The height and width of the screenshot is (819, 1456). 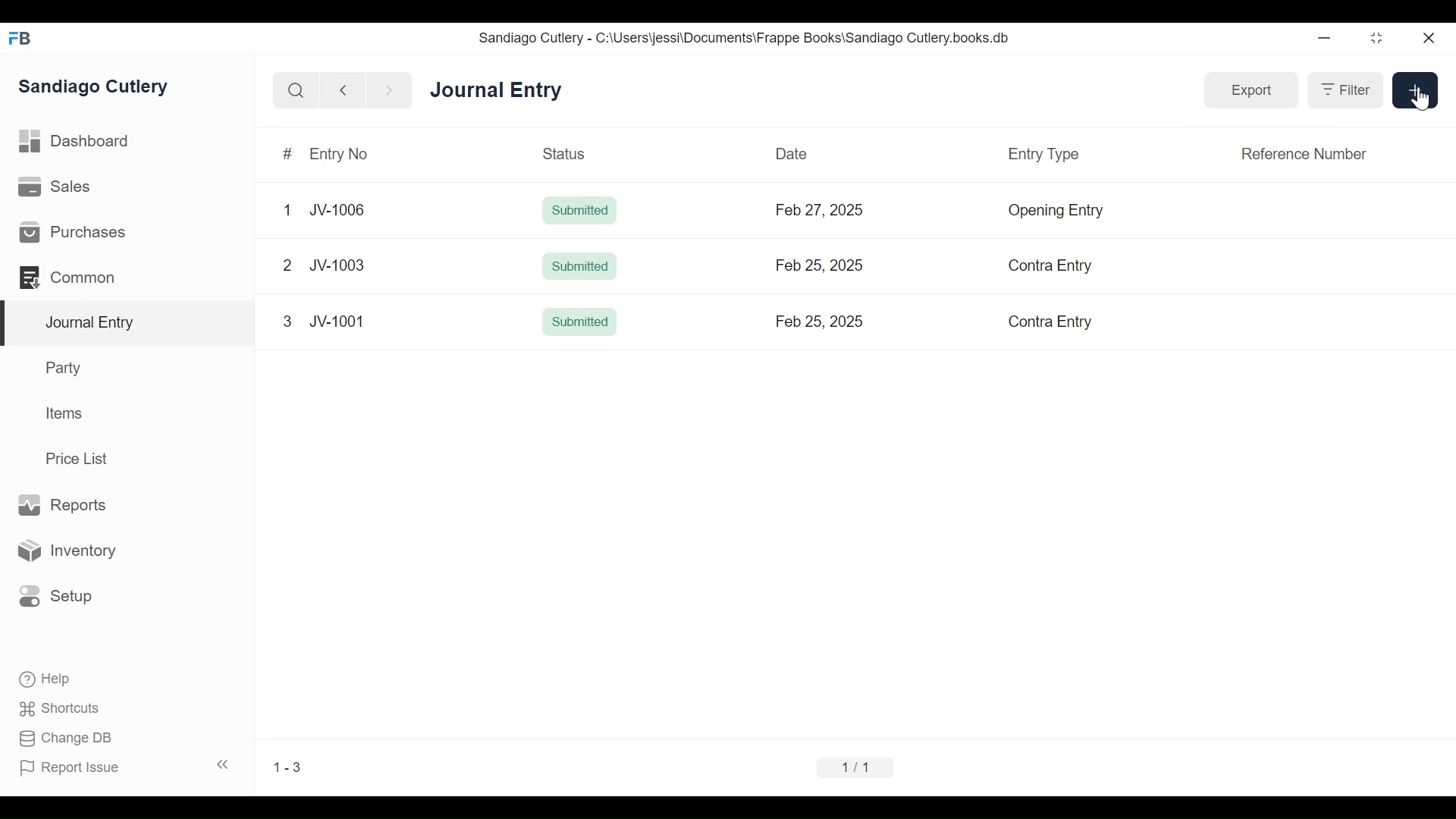 What do you see at coordinates (220, 764) in the screenshot?
I see `collapse sidebar` at bounding box center [220, 764].